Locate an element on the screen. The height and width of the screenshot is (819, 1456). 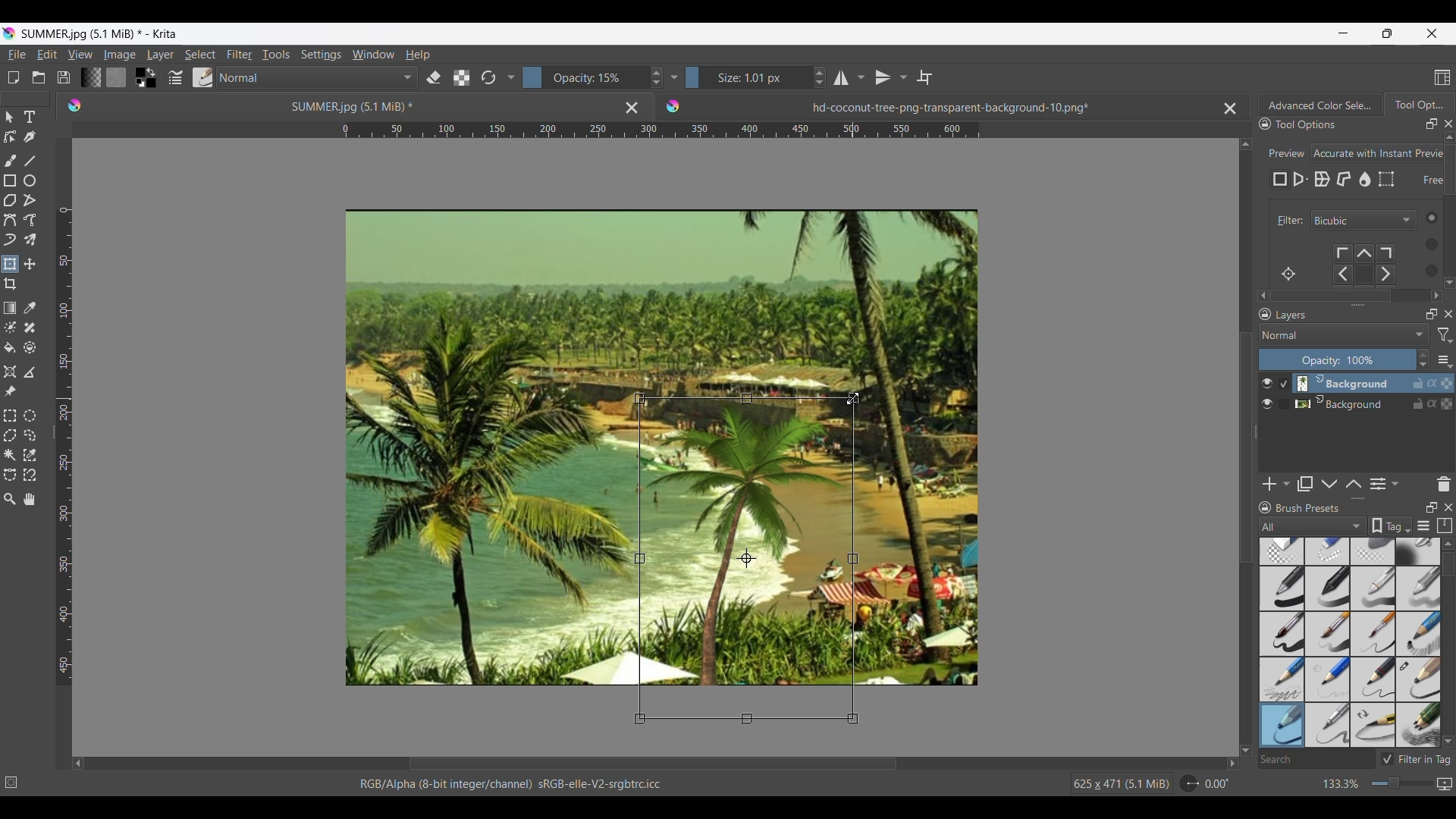
Rectangle tool is located at coordinates (9, 180).